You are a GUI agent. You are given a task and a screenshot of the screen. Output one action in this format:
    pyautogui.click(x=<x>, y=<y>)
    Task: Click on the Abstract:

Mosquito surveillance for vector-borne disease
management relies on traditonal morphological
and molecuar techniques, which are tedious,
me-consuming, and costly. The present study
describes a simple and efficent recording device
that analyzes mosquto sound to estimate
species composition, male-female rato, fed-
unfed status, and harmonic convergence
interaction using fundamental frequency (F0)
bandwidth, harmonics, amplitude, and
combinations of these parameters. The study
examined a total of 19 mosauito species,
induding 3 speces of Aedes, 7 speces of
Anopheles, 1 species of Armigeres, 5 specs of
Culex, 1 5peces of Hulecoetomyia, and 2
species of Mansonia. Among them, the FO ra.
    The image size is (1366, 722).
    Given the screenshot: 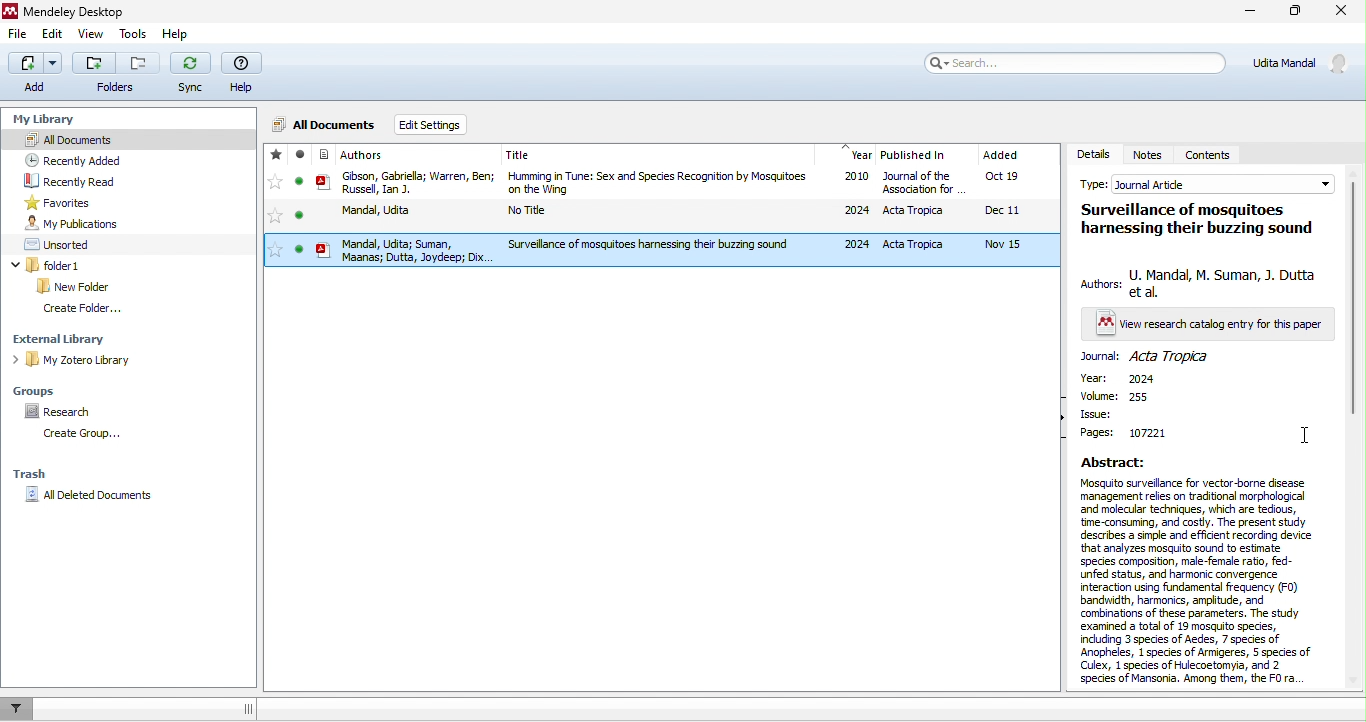 What is the action you would take?
    pyautogui.click(x=1192, y=570)
    